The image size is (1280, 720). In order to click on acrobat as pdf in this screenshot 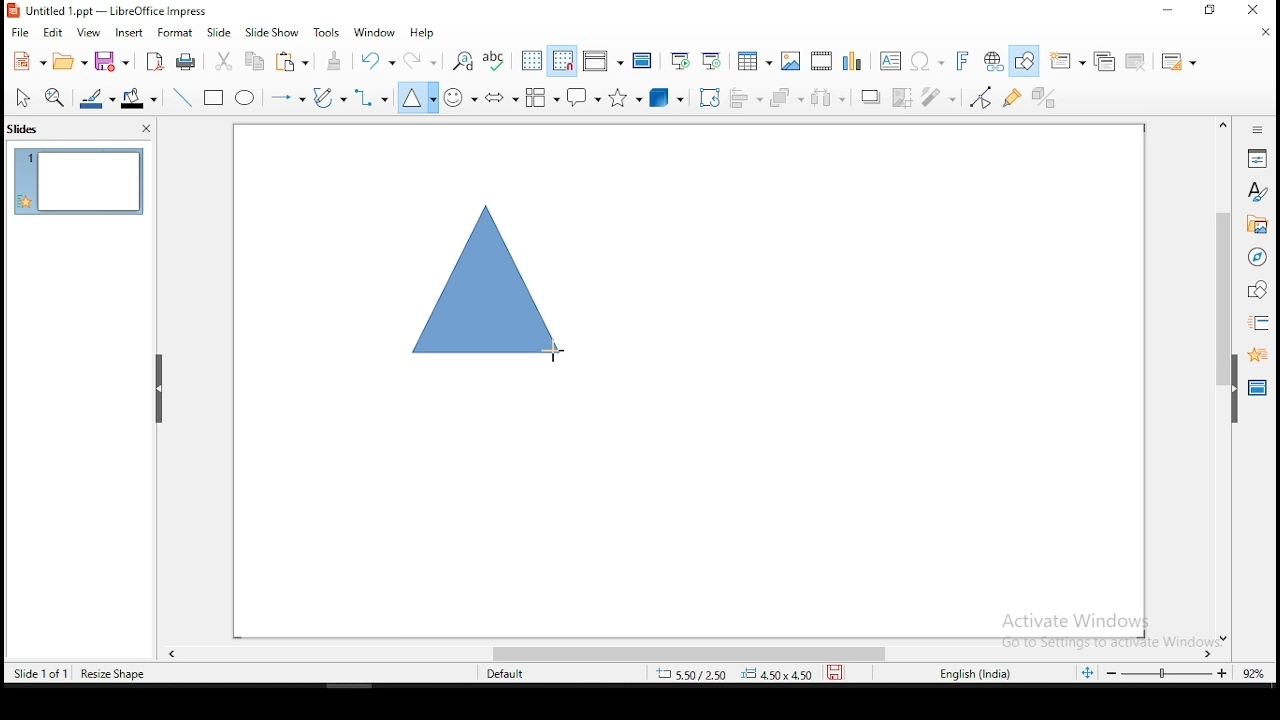, I will do `click(155, 62)`.